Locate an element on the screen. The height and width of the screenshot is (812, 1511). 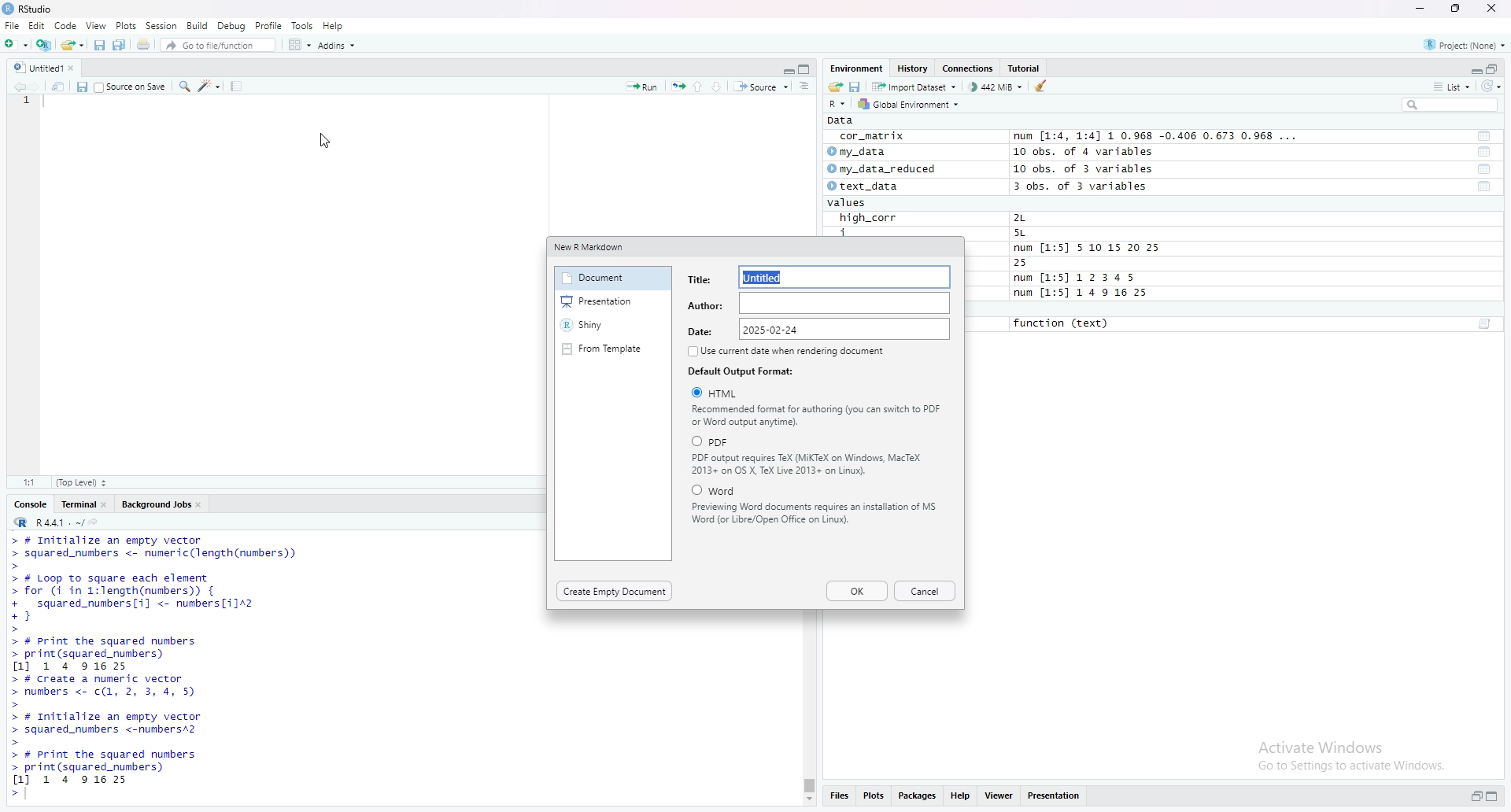
Data is located at coordinates (838, 120).